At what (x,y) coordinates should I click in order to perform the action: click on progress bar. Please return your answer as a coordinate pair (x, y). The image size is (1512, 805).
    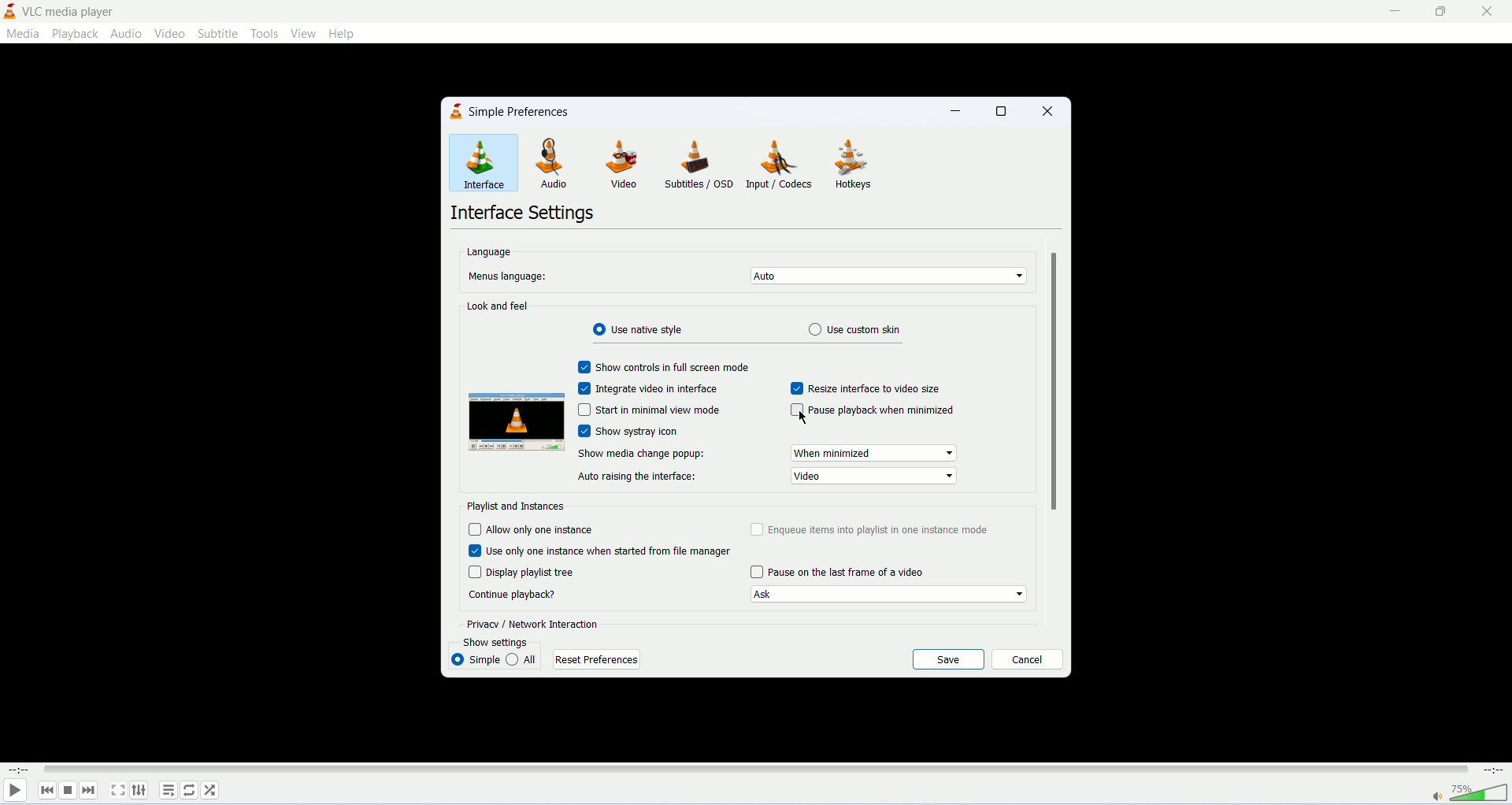
    Looking at the image, I should click on (758, 771).